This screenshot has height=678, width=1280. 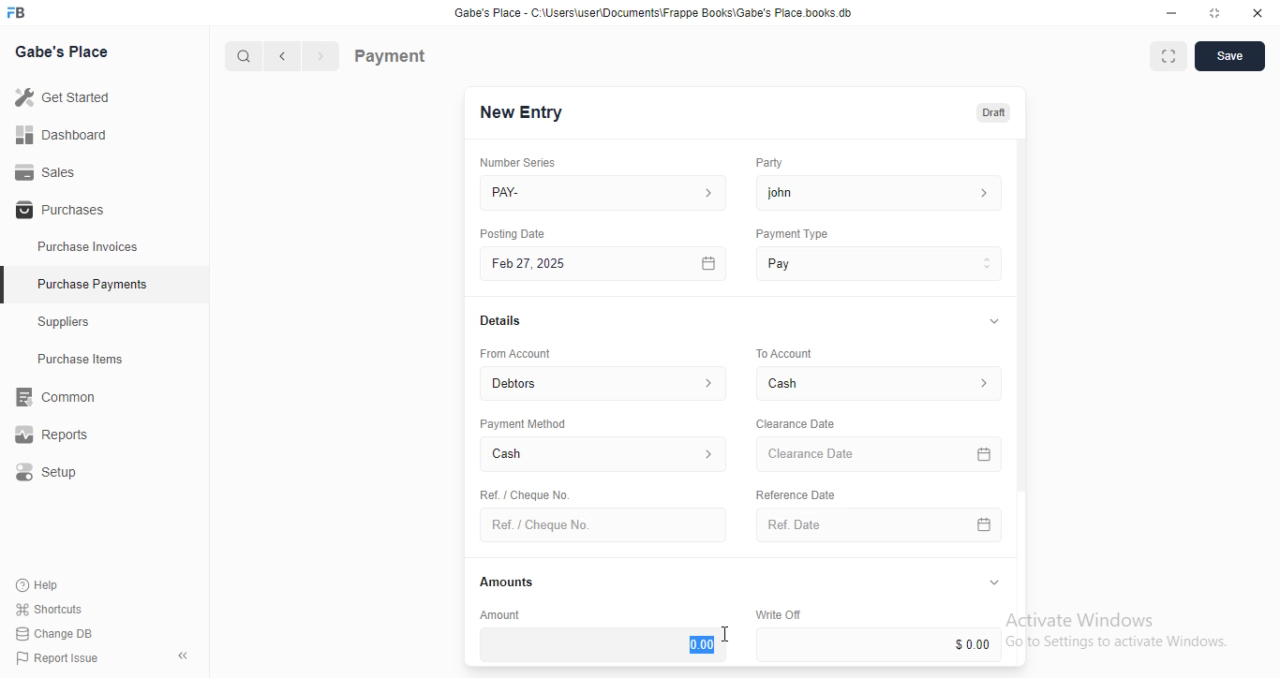 I want to click on Purchase Items., so click(x=87, y=361).